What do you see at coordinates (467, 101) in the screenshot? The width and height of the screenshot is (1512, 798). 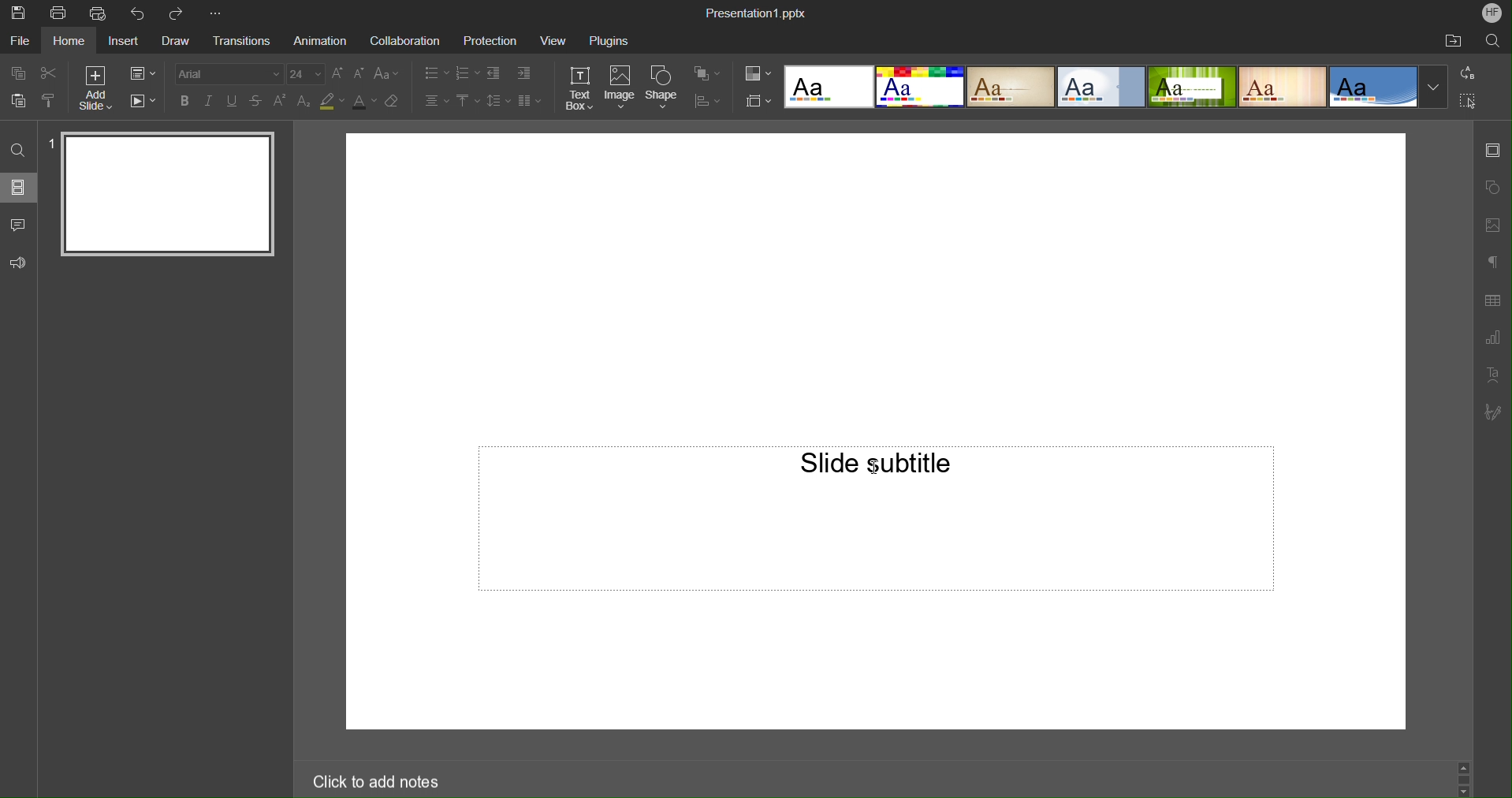 I see `Vertical Align` at bounding box center [467, 101].